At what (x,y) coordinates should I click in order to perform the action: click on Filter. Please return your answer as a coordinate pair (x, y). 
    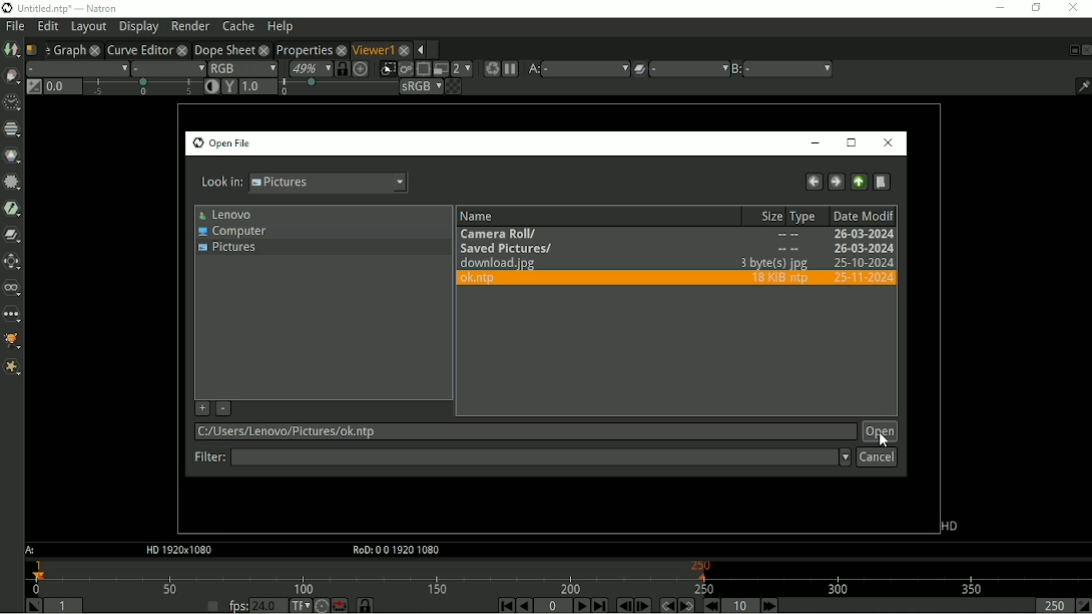
    Looking at the image, I should click on (540, 459).